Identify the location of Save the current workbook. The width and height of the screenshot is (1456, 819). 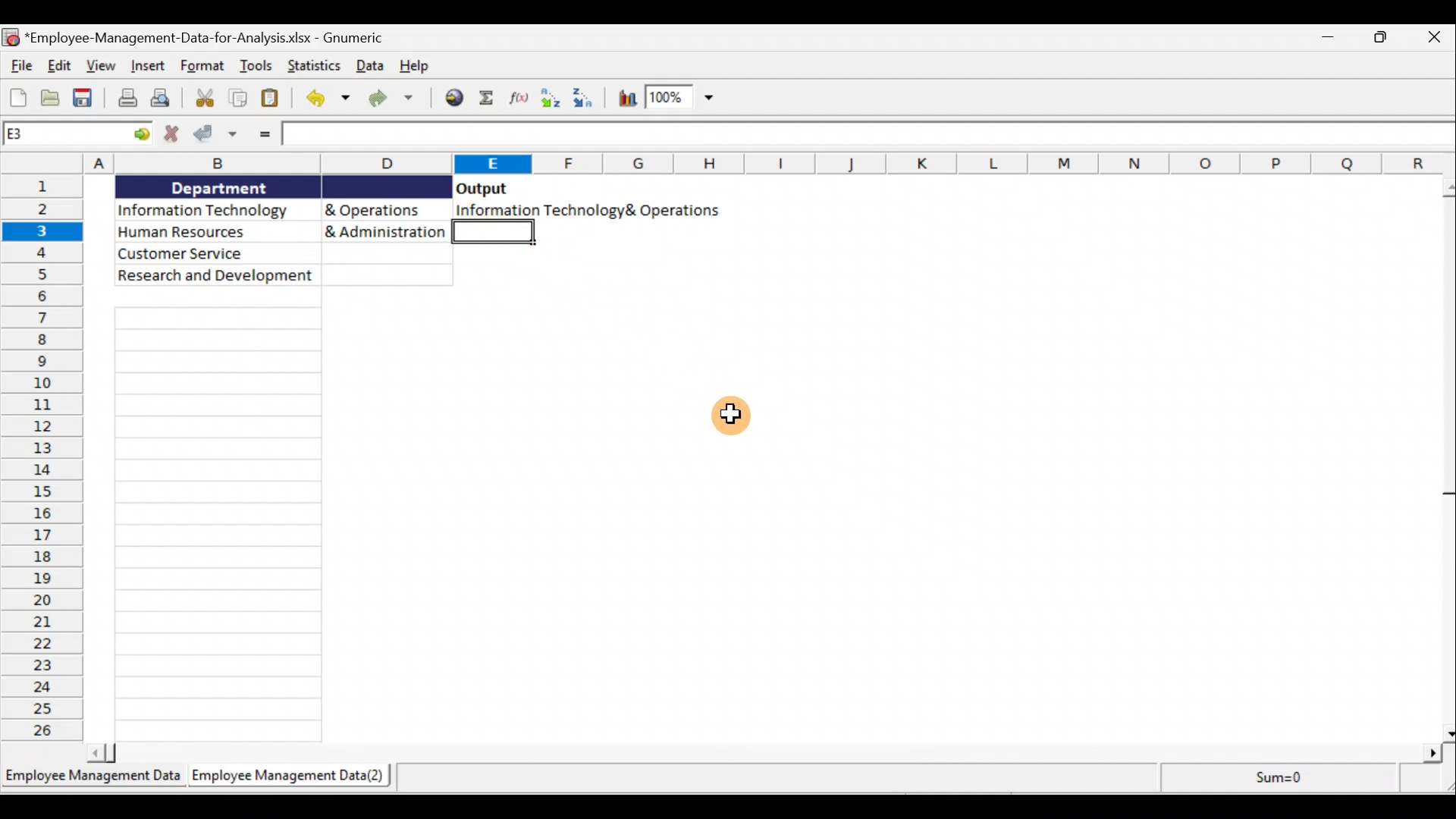
(85, 98).